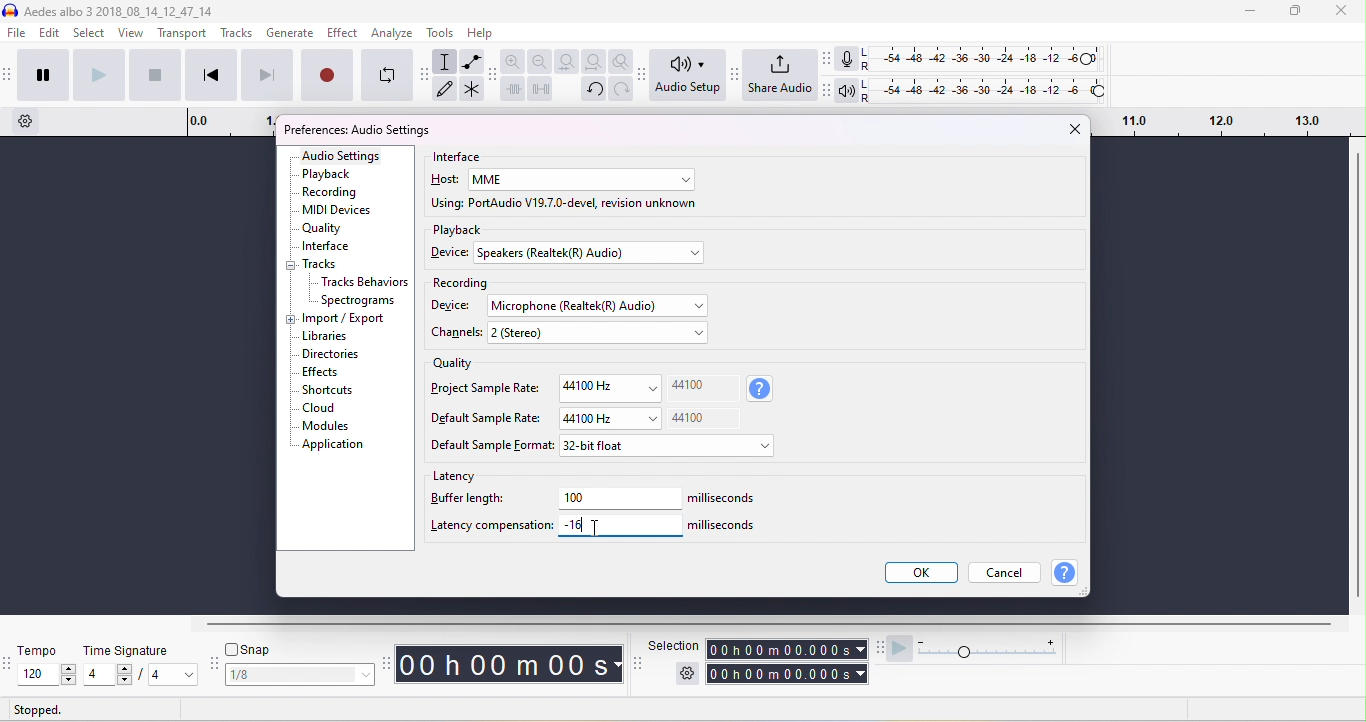 The image size is (1366, 722). What do you see at coordinates (1357, 378) in the screenshot?
I see `vertical scroll bar` at bounding box center [1357, 378].